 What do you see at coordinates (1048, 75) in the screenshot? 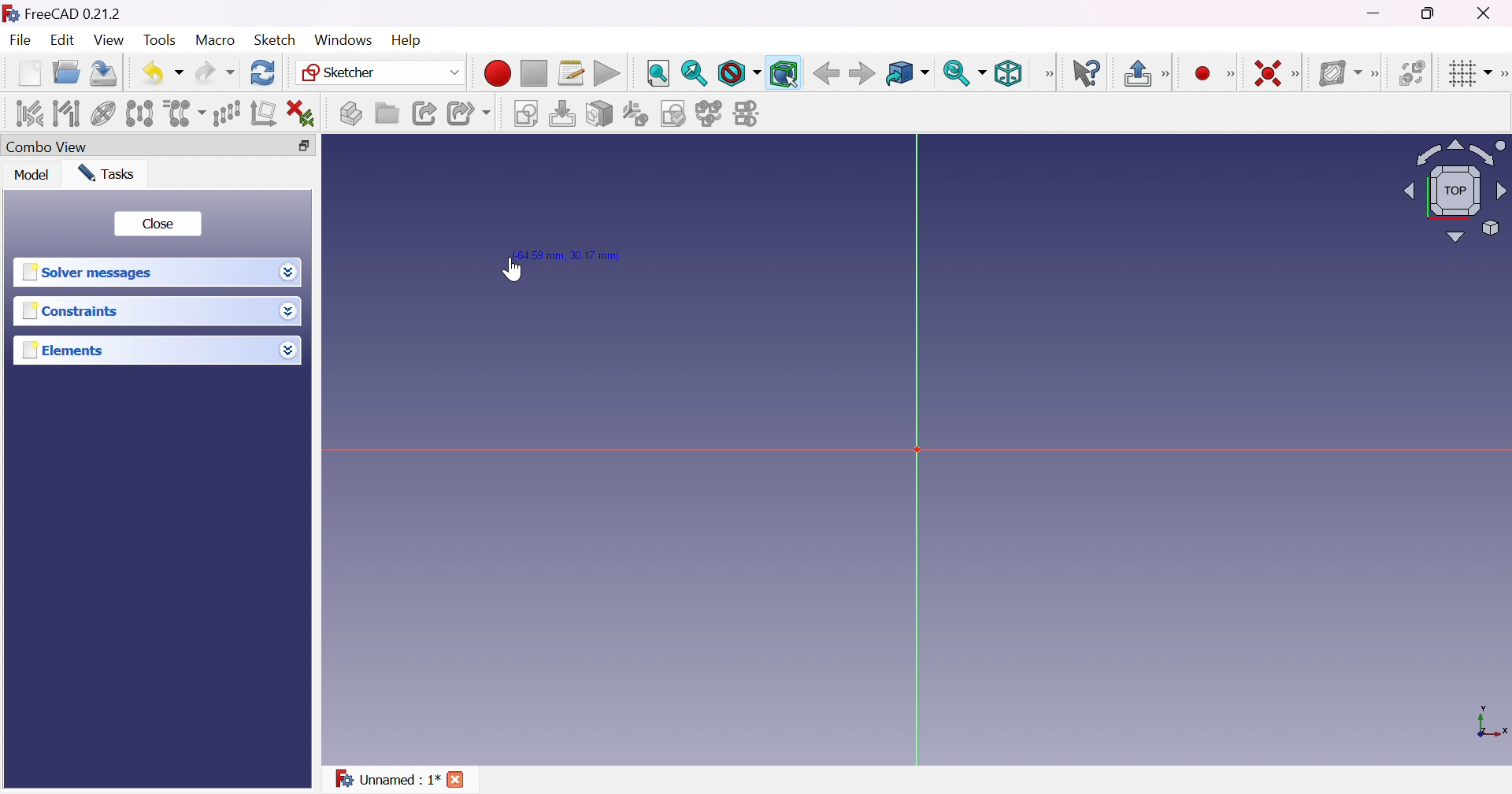
I see `View` at bounding box center [1048, 75].